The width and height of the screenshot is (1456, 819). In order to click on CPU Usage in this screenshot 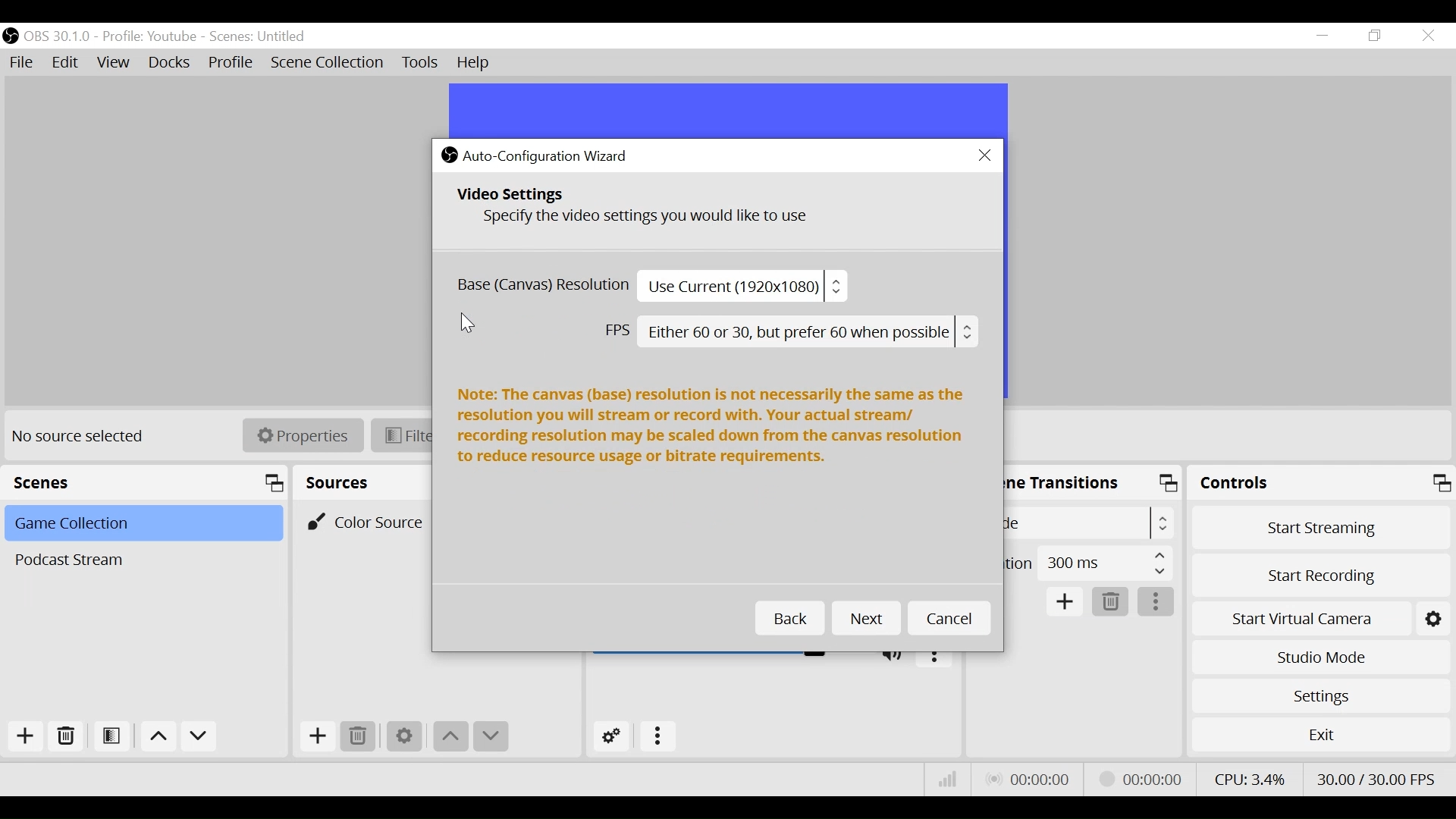, I will do `click(1249, 779)`.